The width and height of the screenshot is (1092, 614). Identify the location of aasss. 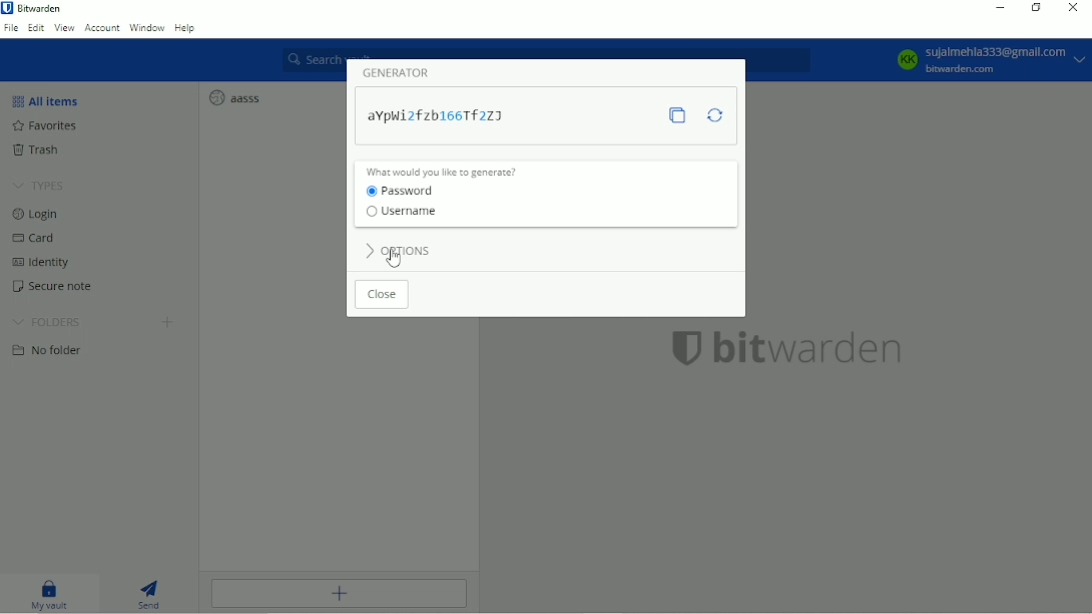
(234, 97).